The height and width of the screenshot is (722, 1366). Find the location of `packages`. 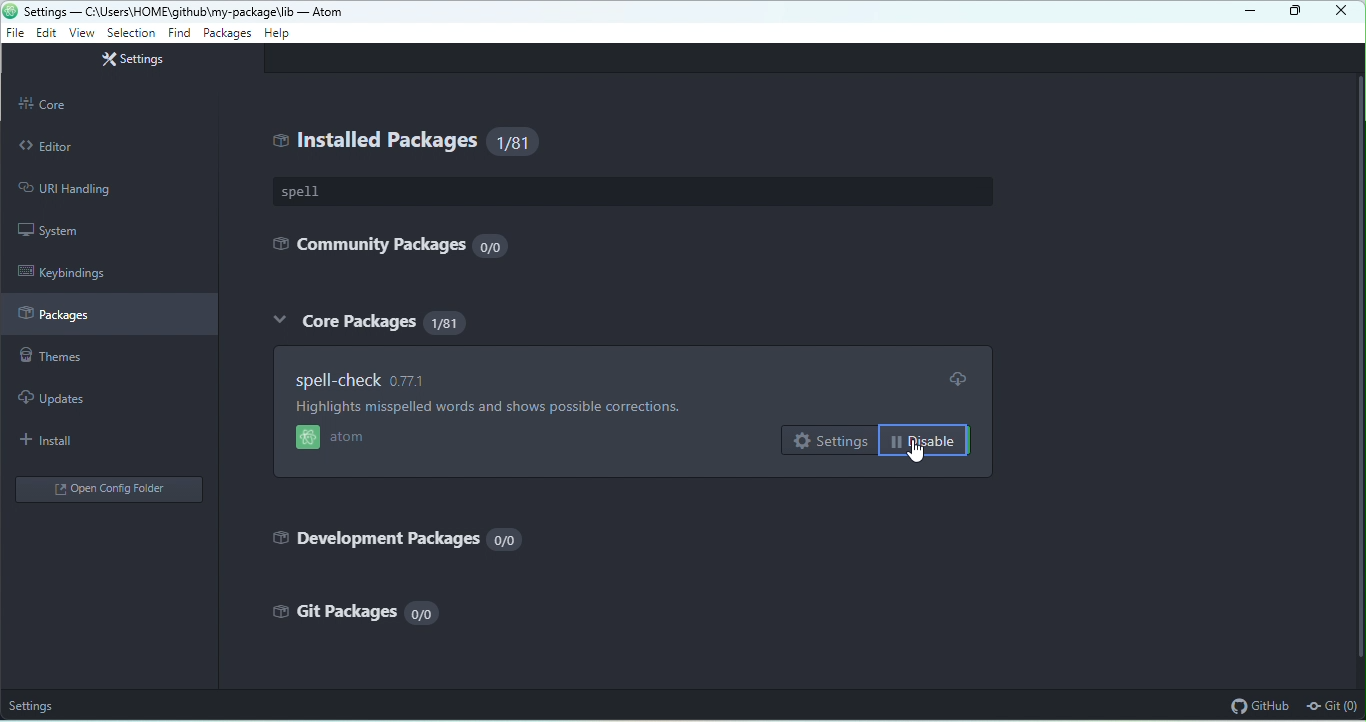

packages is located at coordinates (109, 316).